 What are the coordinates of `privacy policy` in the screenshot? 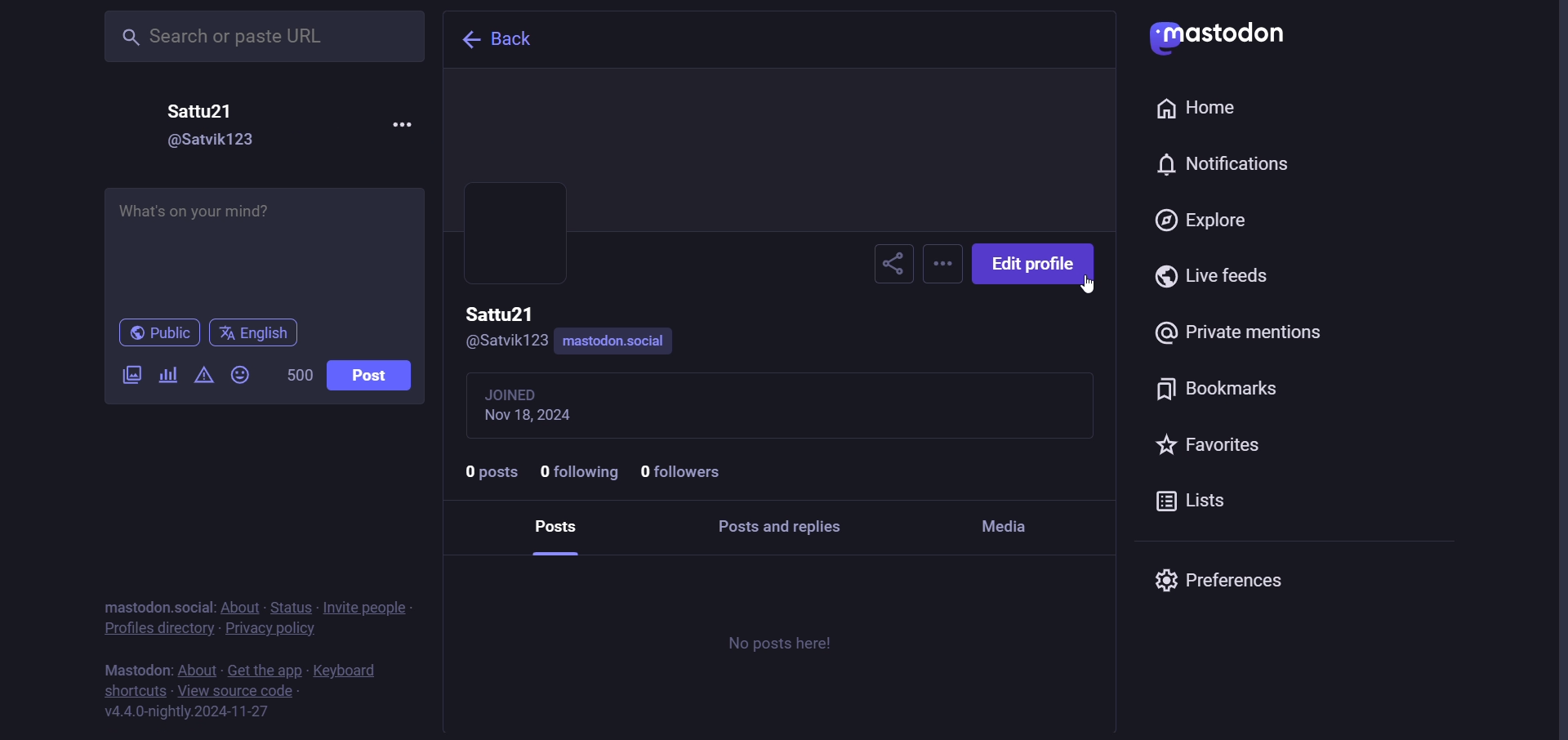 It's located at (272, 629).